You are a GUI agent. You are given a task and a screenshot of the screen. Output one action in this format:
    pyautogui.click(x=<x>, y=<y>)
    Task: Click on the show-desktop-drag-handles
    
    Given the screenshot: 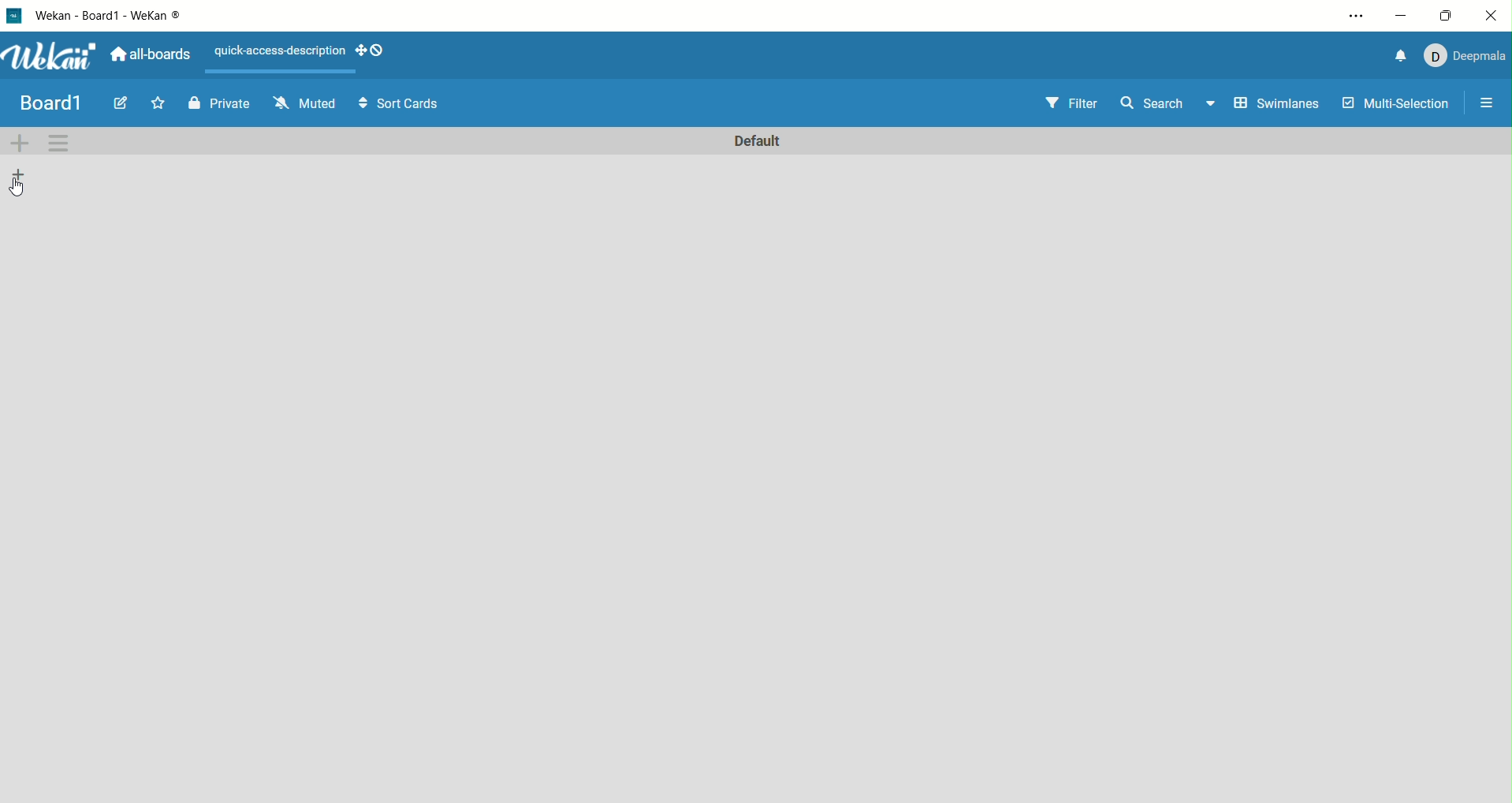 What is the action you would take?
    pyautogui.click(x=360, y=51)
    